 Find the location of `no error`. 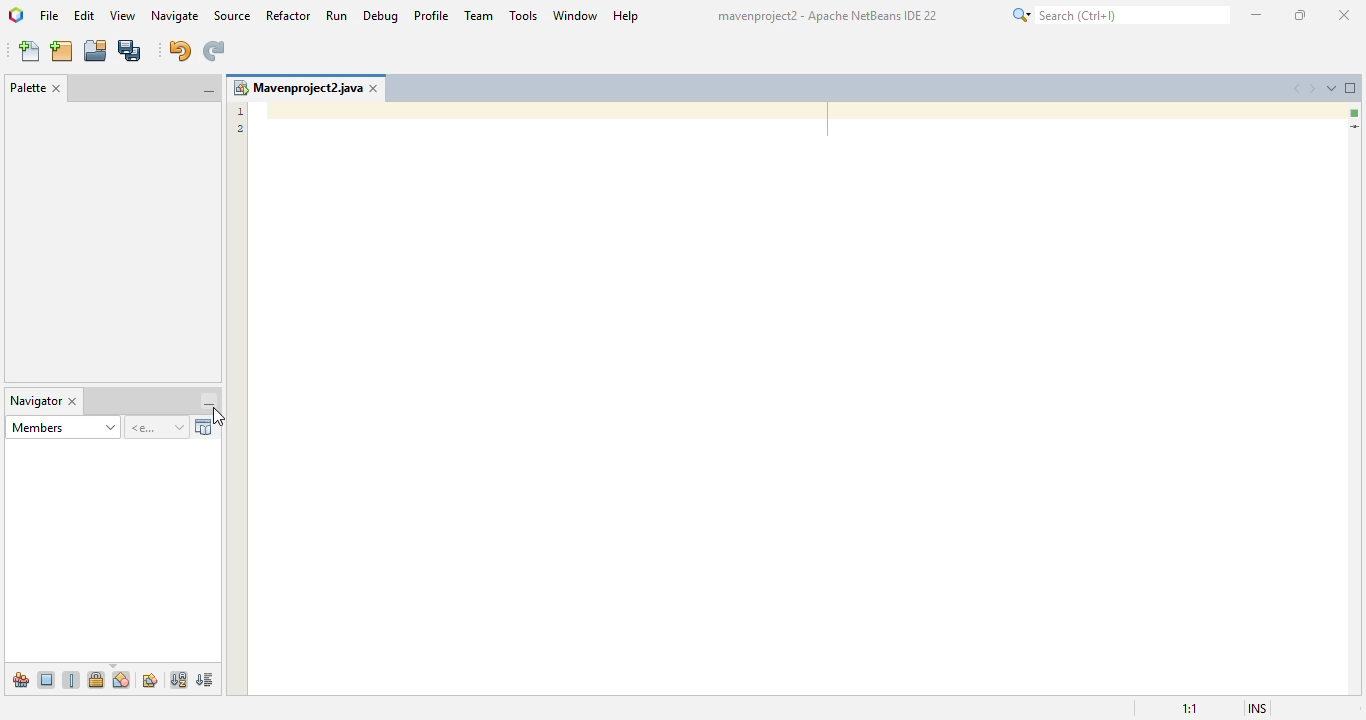

no error is located at coordinates (1355, 113).